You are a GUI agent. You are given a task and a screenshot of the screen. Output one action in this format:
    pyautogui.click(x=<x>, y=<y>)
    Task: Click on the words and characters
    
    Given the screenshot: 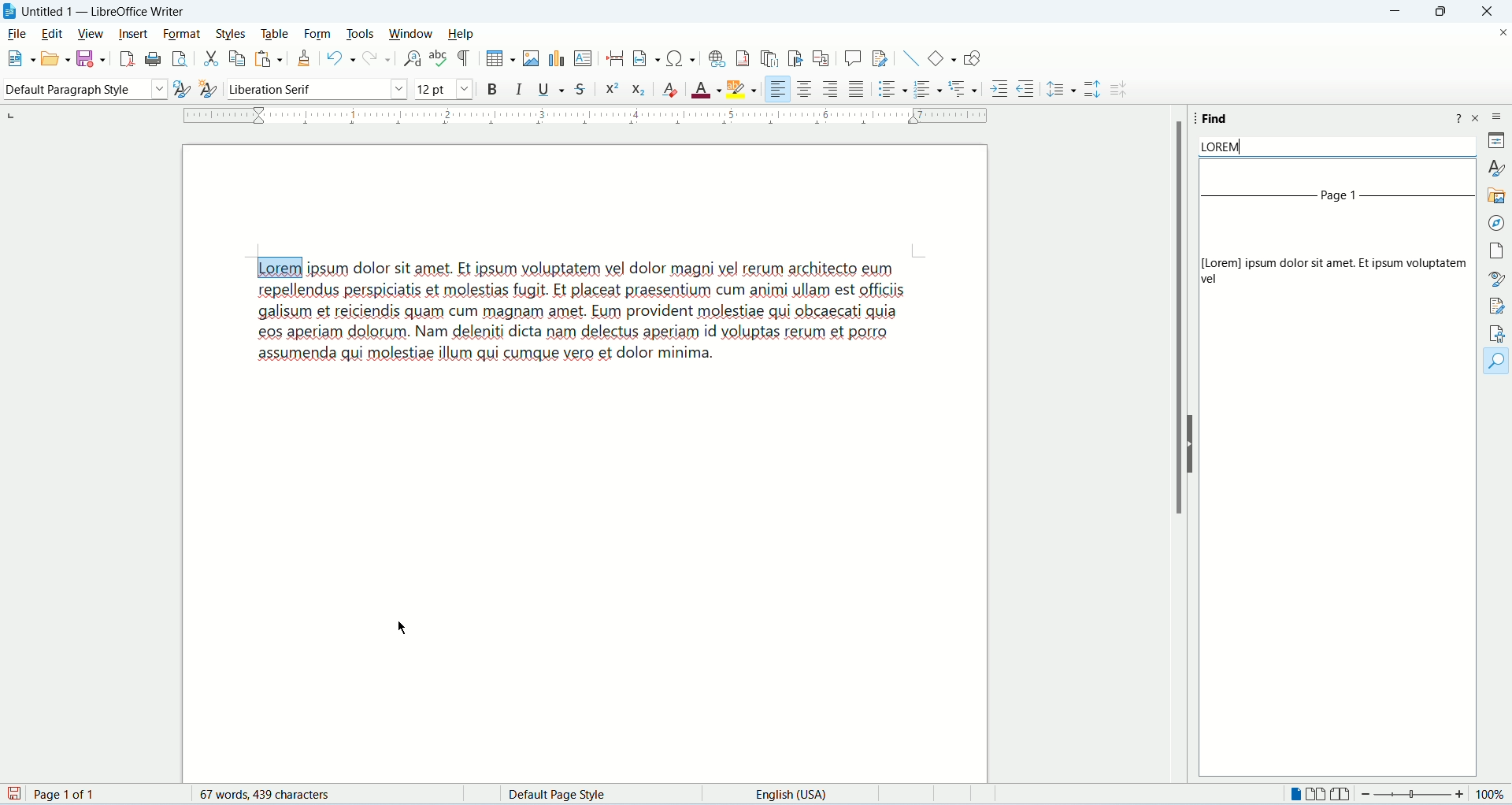 What is the action you would take?
    pyautogui.click(x=266, y=796)
    